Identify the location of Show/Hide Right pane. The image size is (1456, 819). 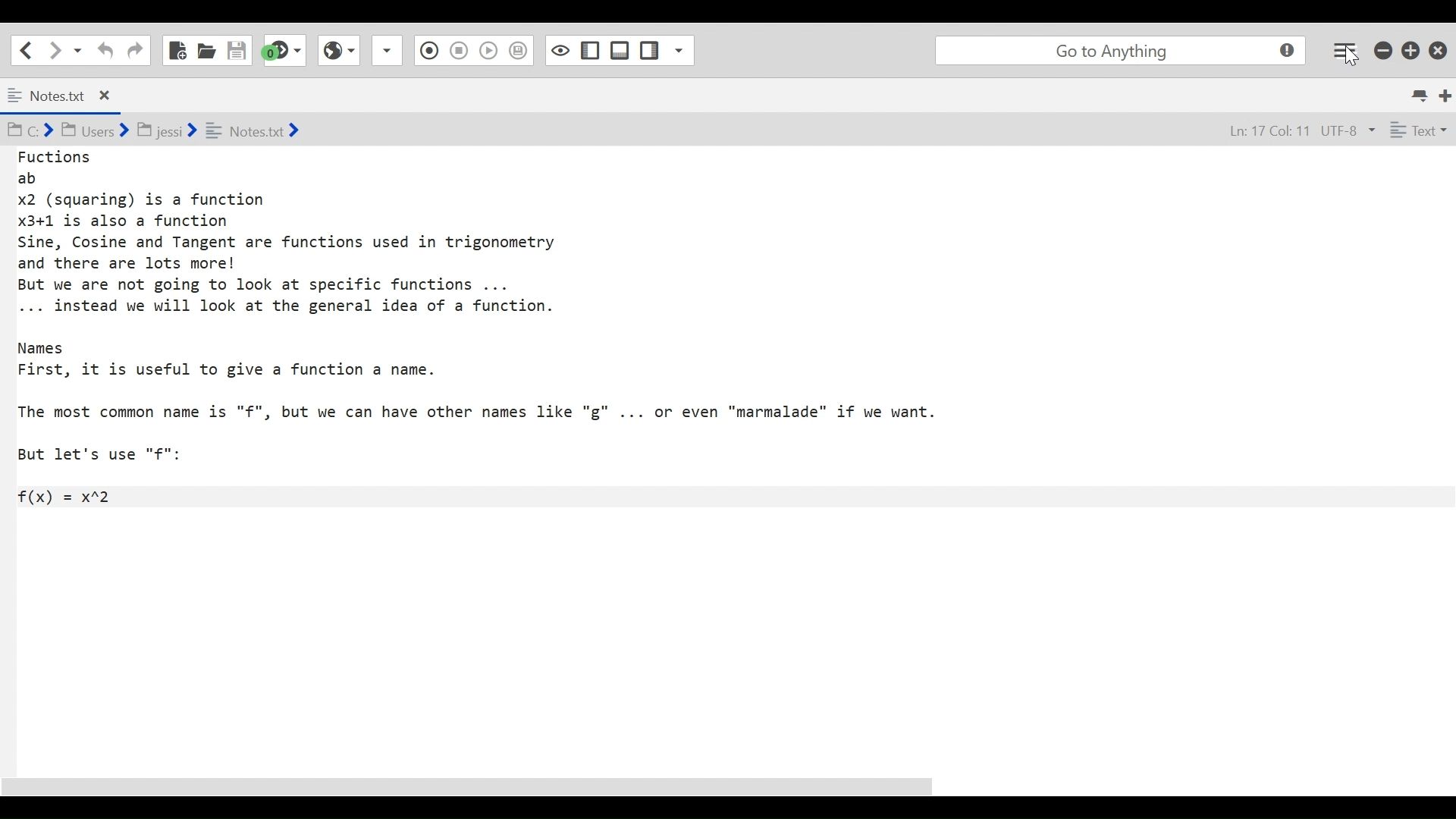
(559, 49).